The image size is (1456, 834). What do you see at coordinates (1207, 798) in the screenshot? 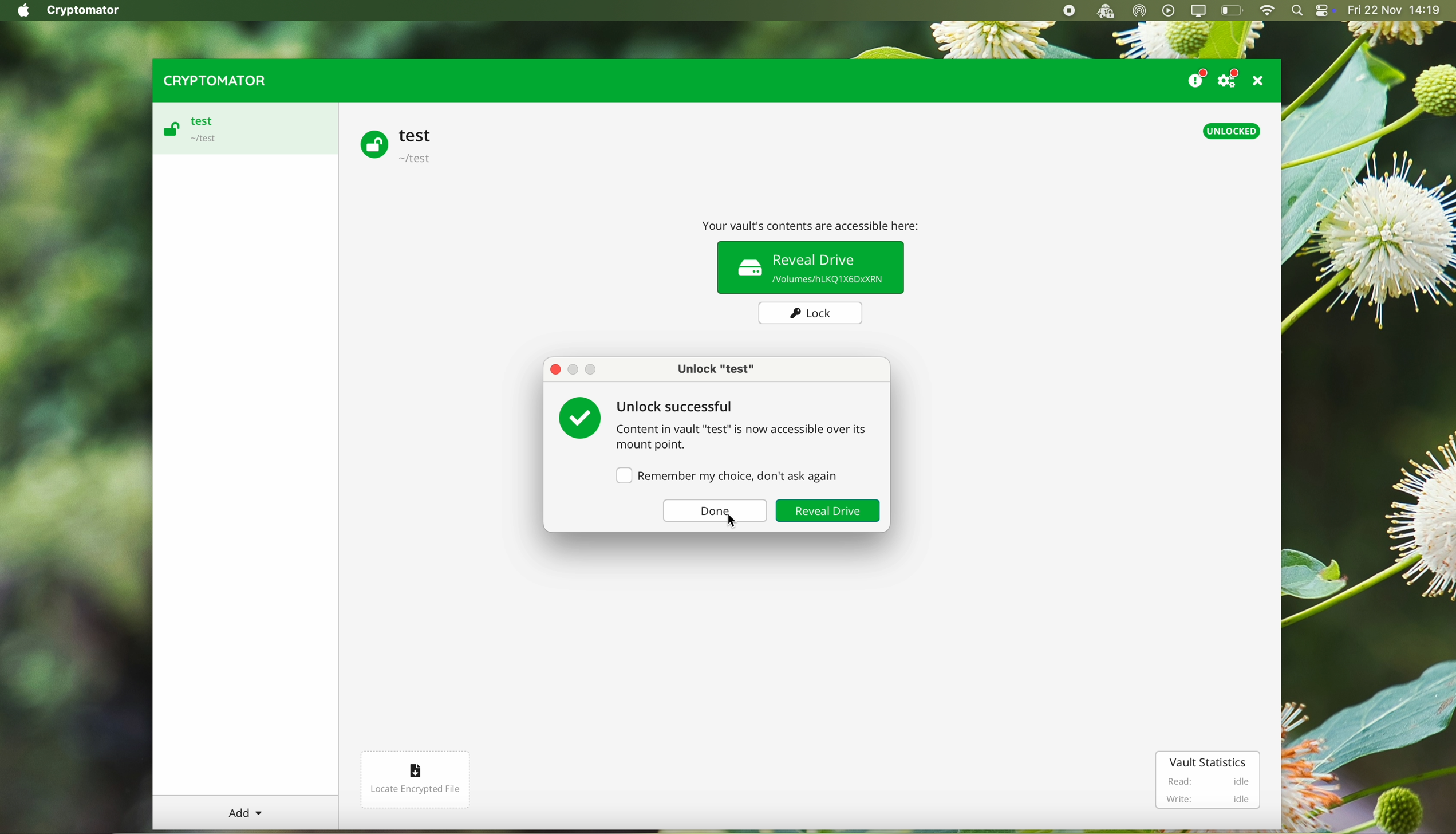
I see `Write: idle` at bounding box center [1207, 798].